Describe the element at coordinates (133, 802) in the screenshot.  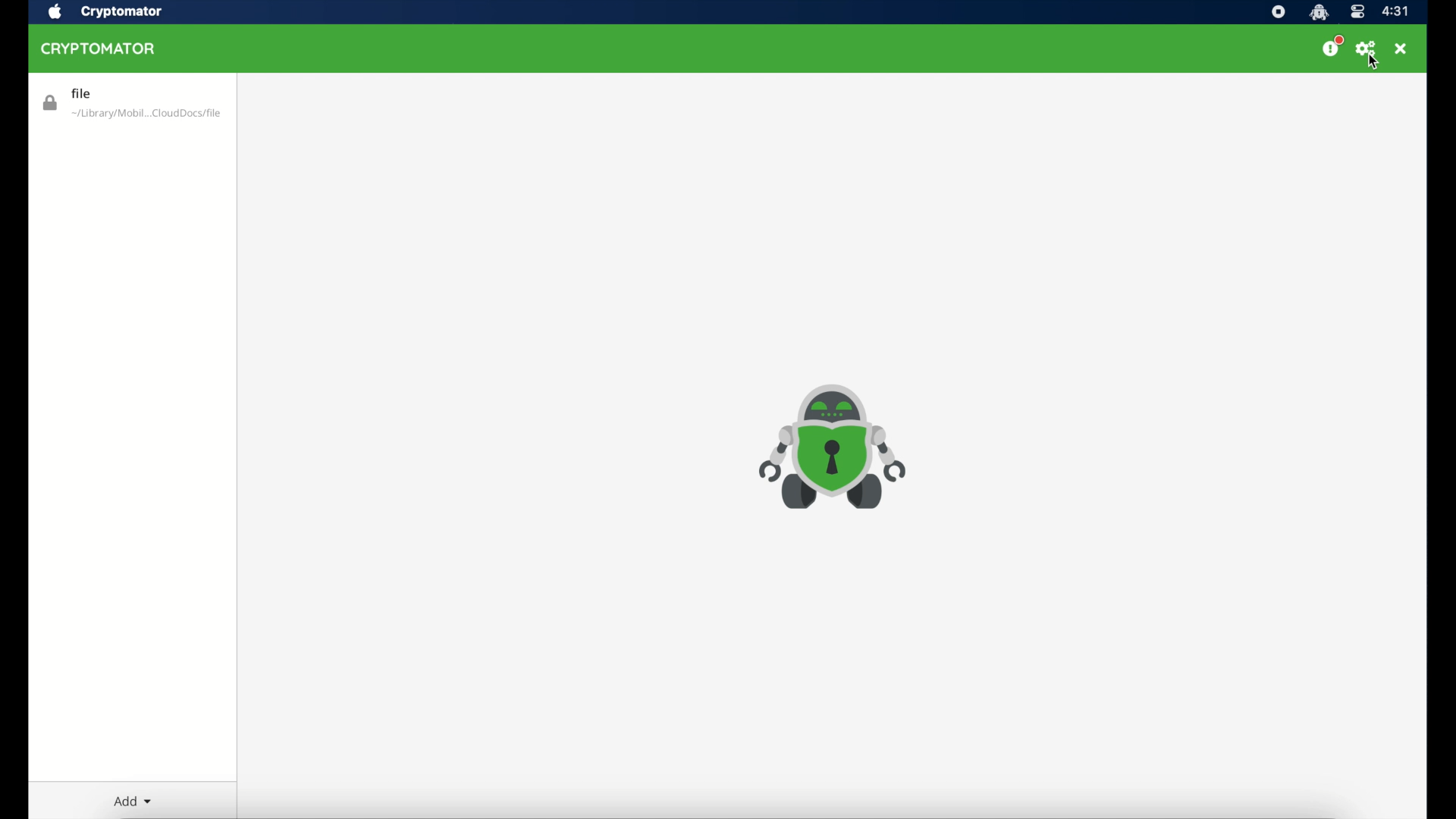
I see `add dropdown` at that location.